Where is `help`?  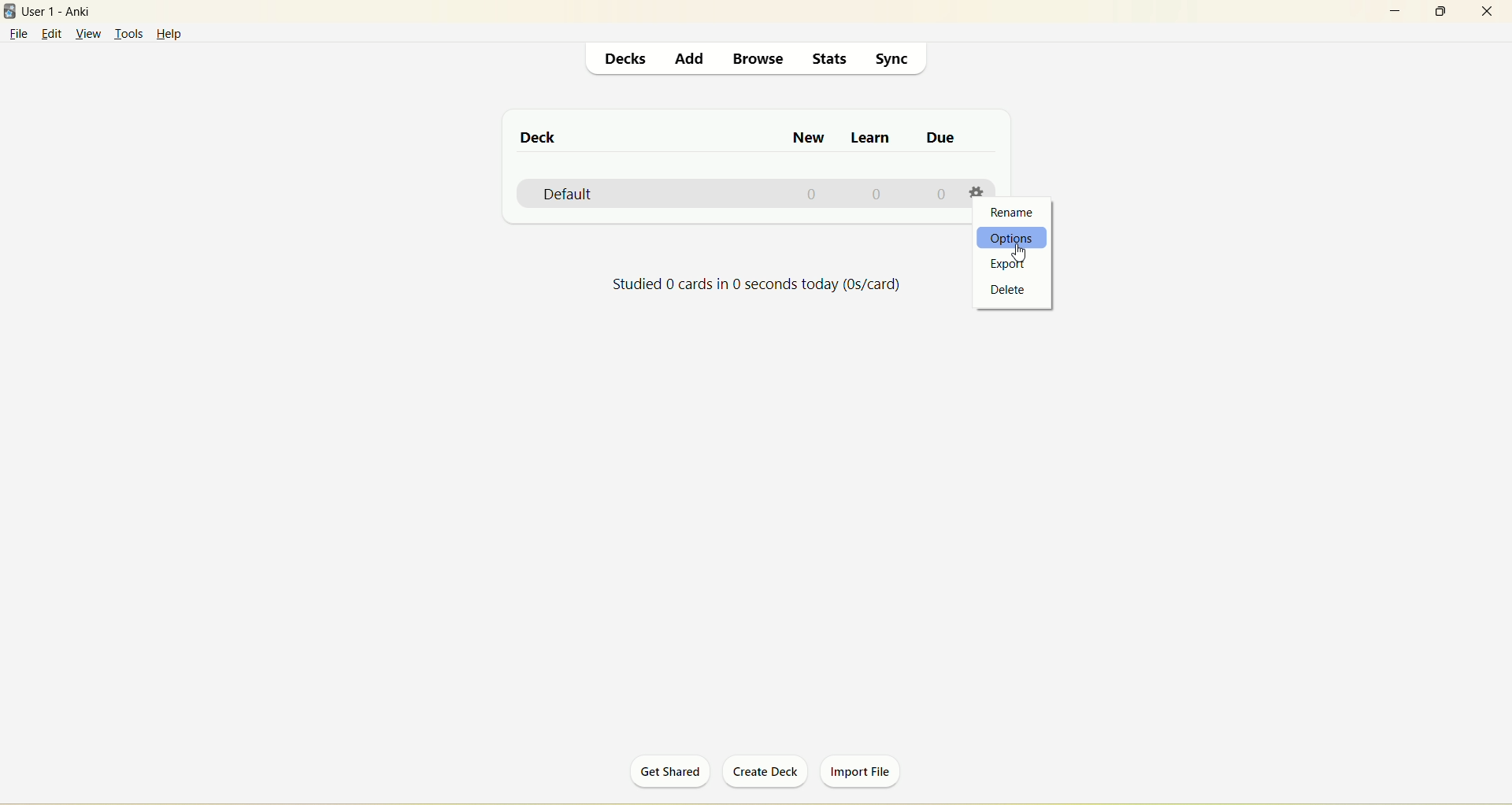 help is located at coordinates (178, 35).